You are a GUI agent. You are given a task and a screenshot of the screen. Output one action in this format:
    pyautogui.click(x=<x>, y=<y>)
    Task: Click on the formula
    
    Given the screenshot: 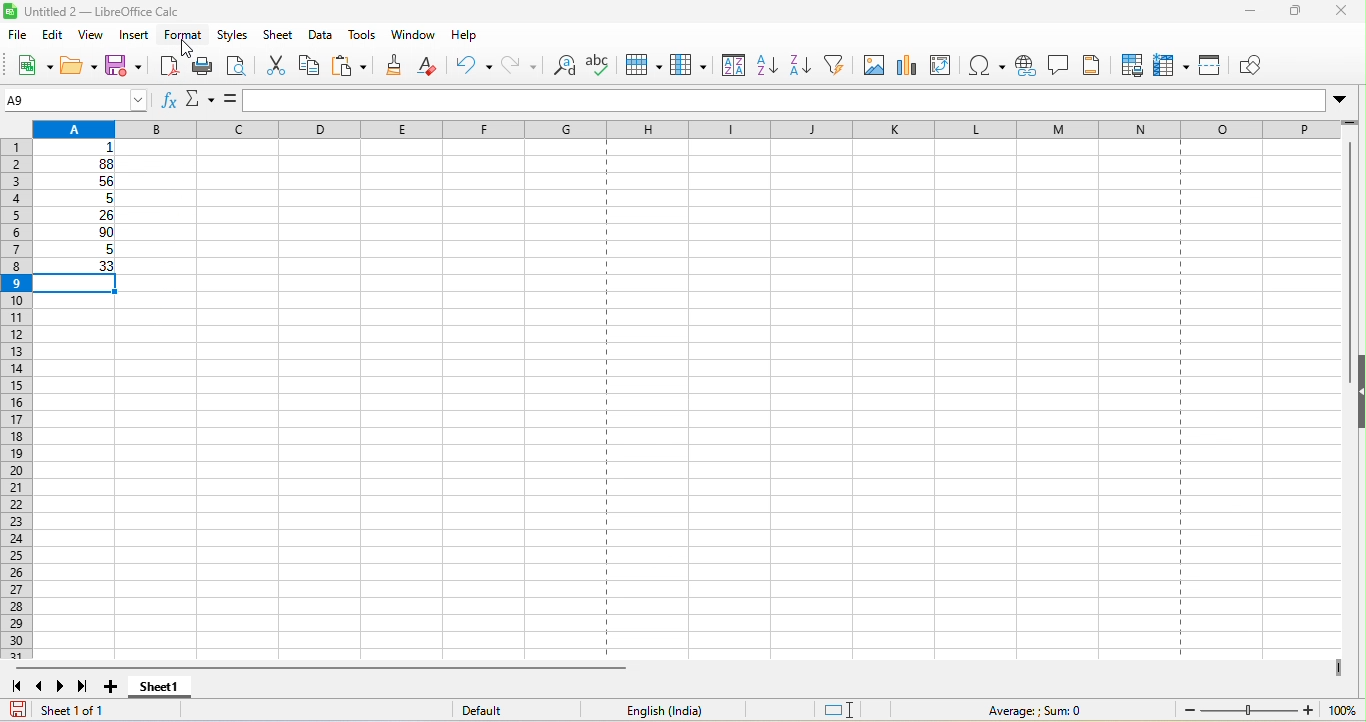 What is the action you would take?
    pyautogui.click(x=228, y=99)
    